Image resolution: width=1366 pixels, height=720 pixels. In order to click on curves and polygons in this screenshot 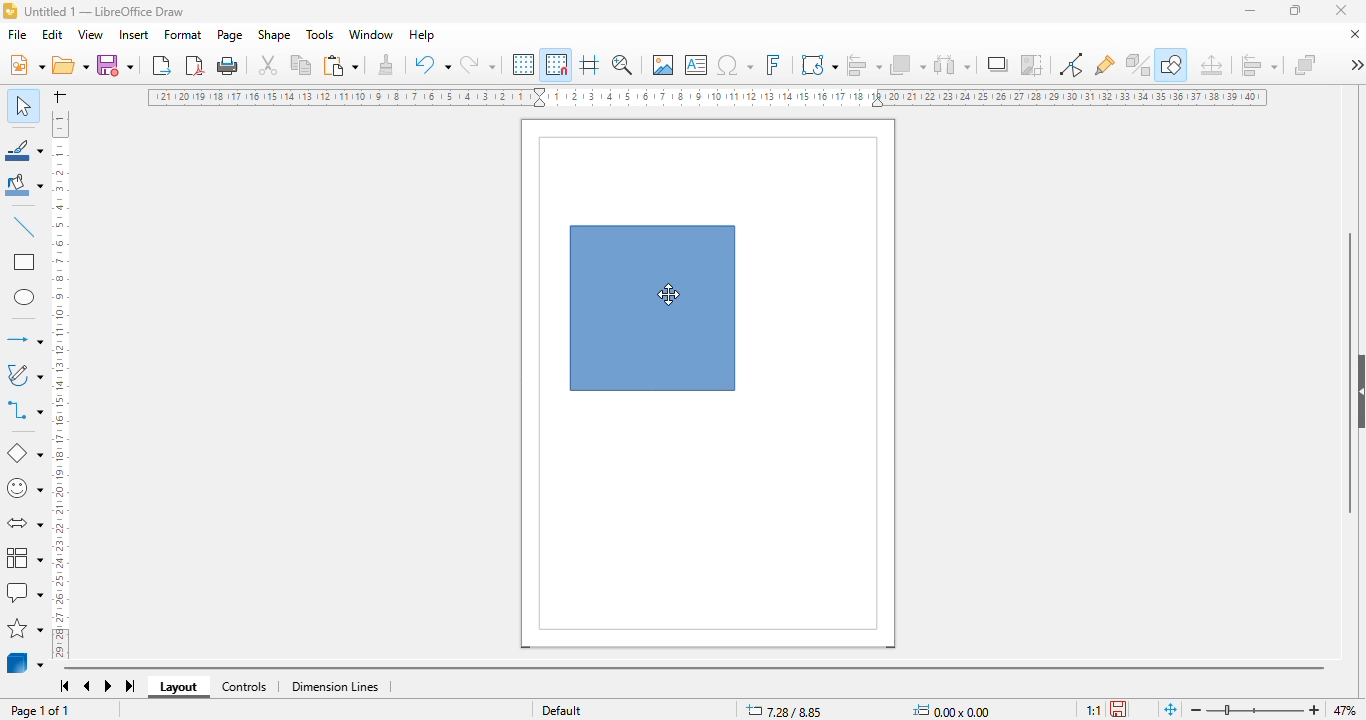, I will do `click(23, 375)`.